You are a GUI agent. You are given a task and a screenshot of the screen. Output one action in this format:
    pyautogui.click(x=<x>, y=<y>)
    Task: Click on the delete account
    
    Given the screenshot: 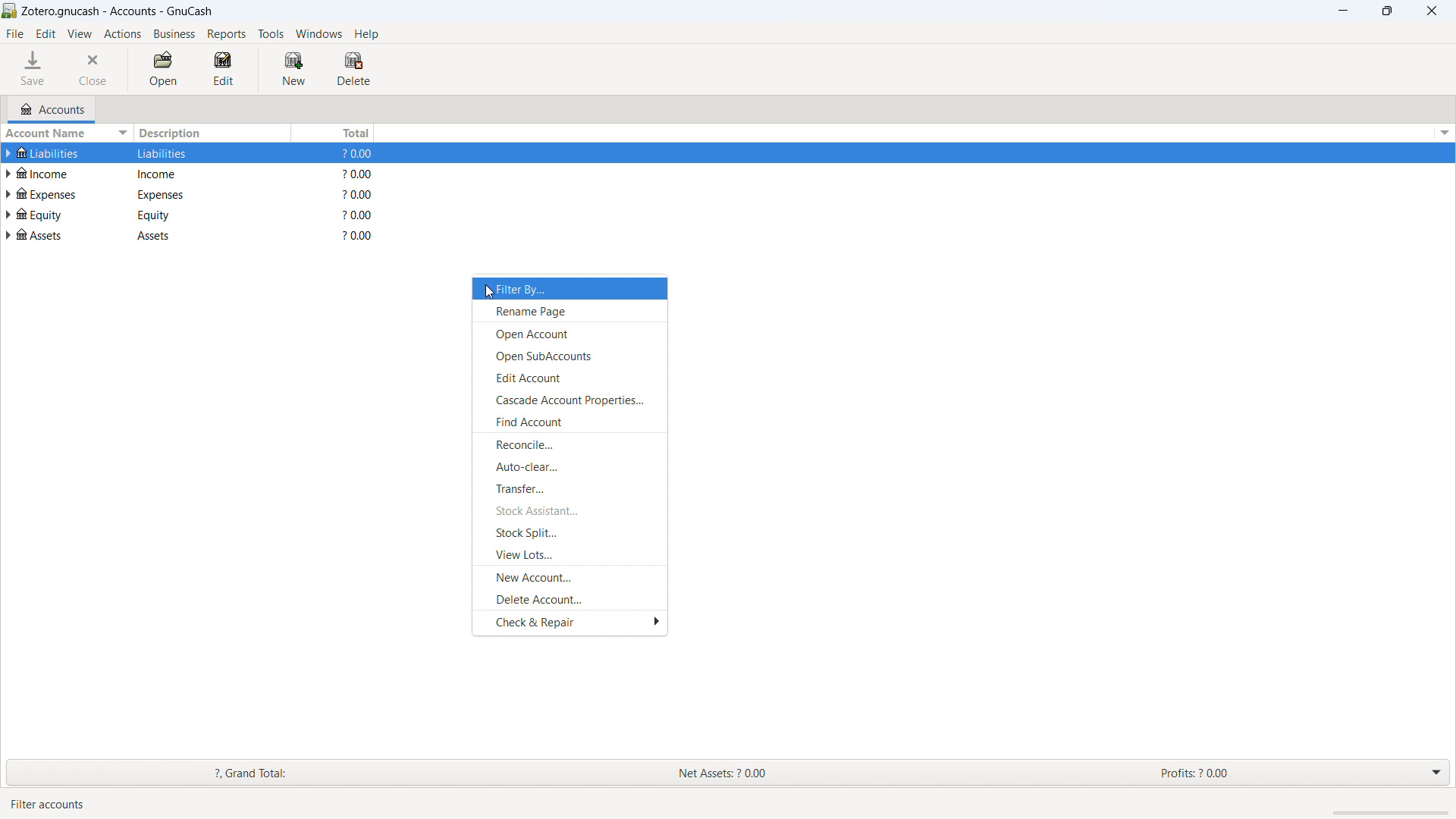 What is the action you would take?
    pyautogui.click(x=570, y=598)
    